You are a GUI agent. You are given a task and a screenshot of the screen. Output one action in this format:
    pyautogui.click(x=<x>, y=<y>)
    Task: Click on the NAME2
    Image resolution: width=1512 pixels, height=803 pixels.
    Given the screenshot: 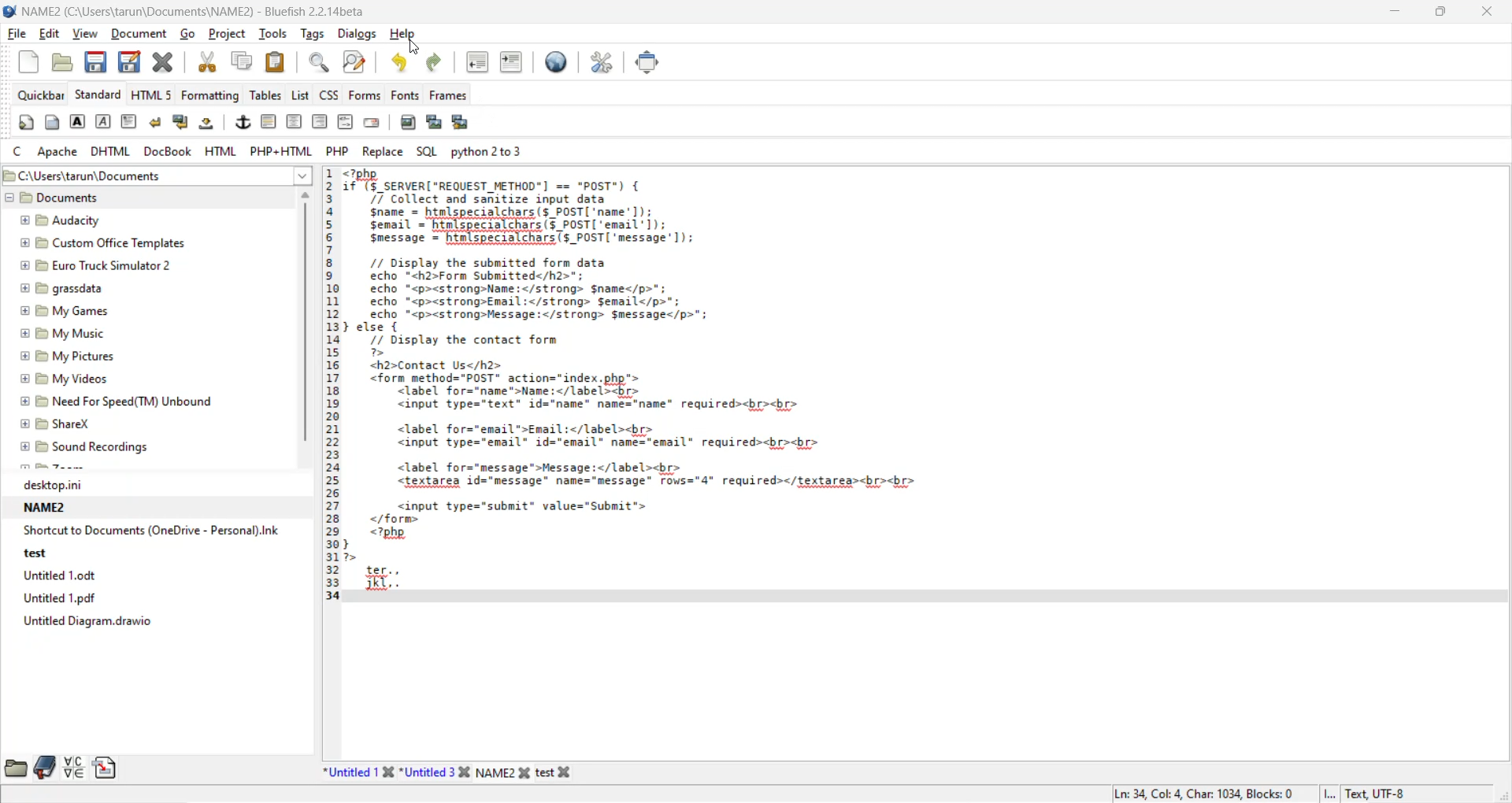 What is the action you would take?
    pyautogui.click(x=42, y=508)
    